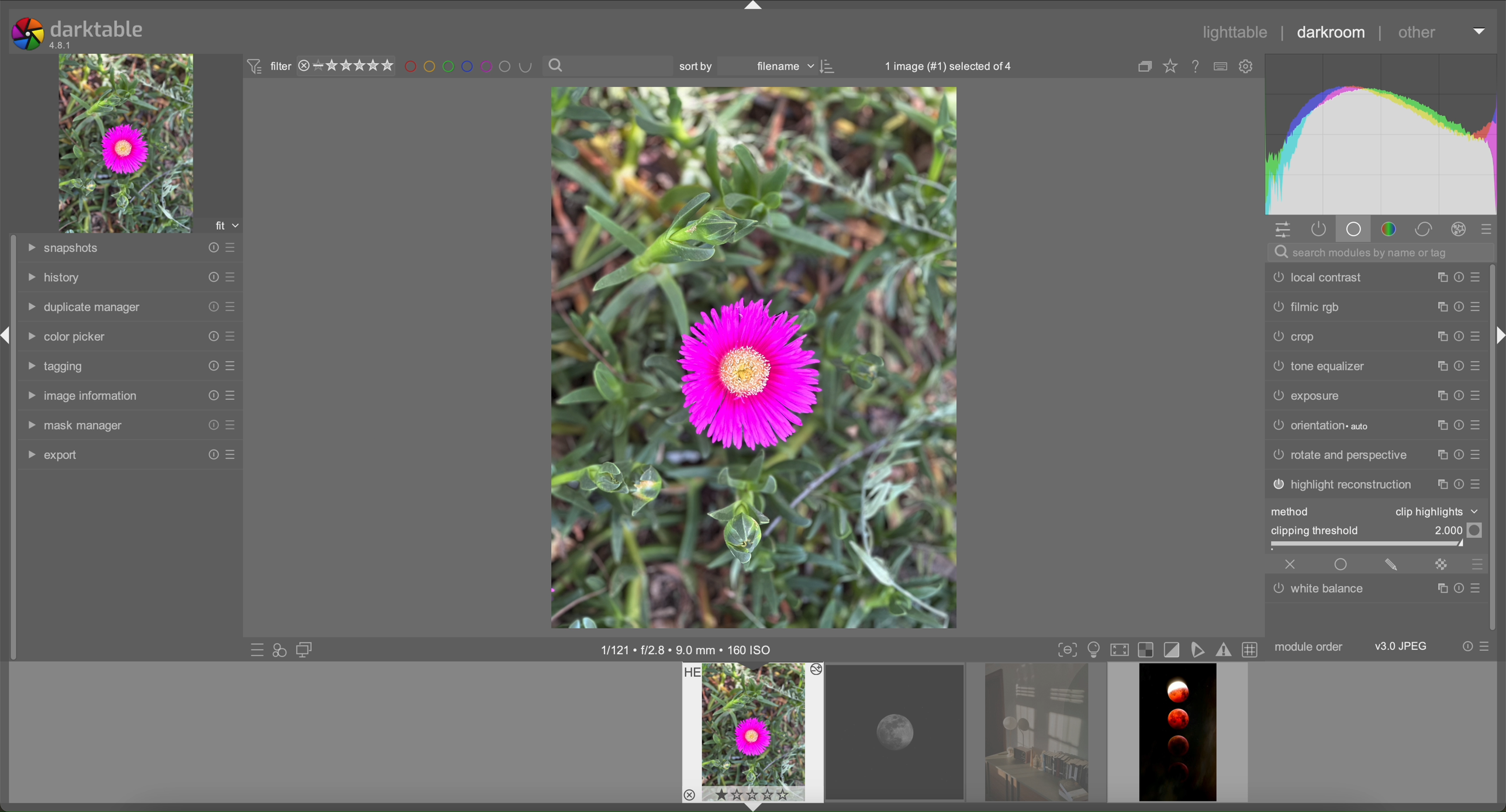  I want to click on lighttable, so click(1236, 32).